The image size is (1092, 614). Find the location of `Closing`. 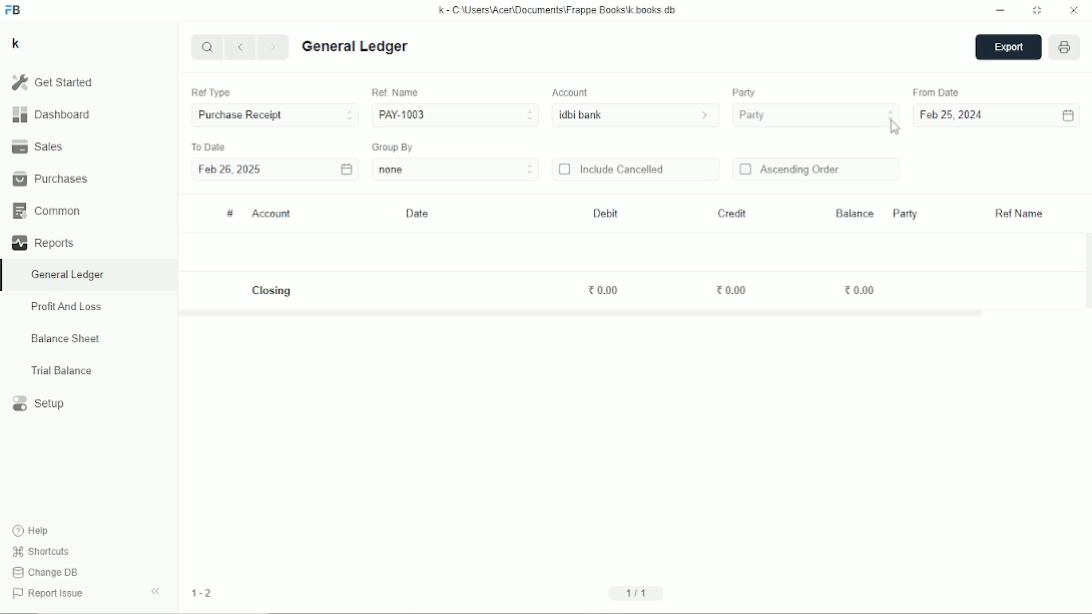

Closing is located at coordinates (274, 291).